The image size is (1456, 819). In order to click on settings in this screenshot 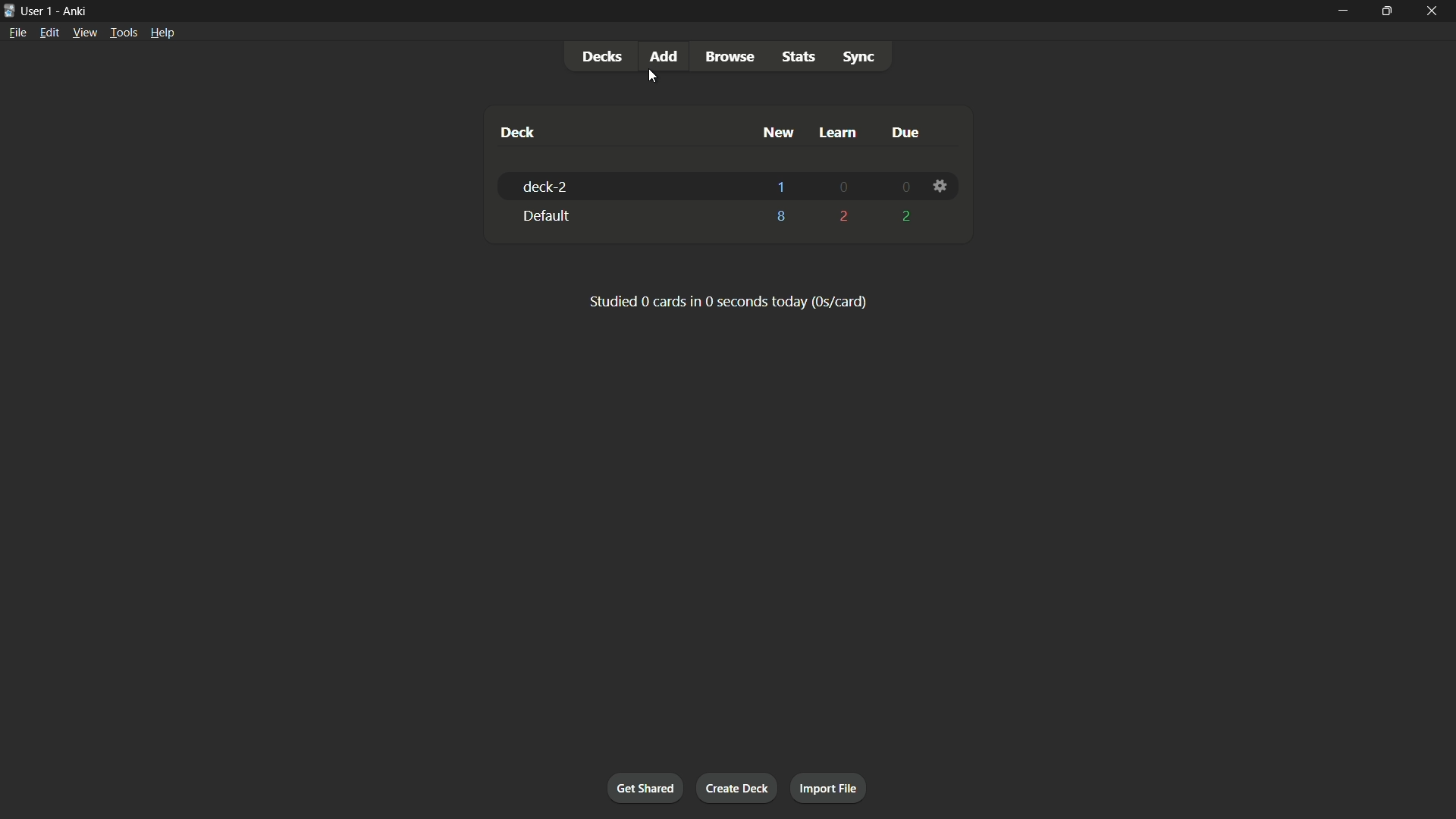, I will do `click(940, 186)`.